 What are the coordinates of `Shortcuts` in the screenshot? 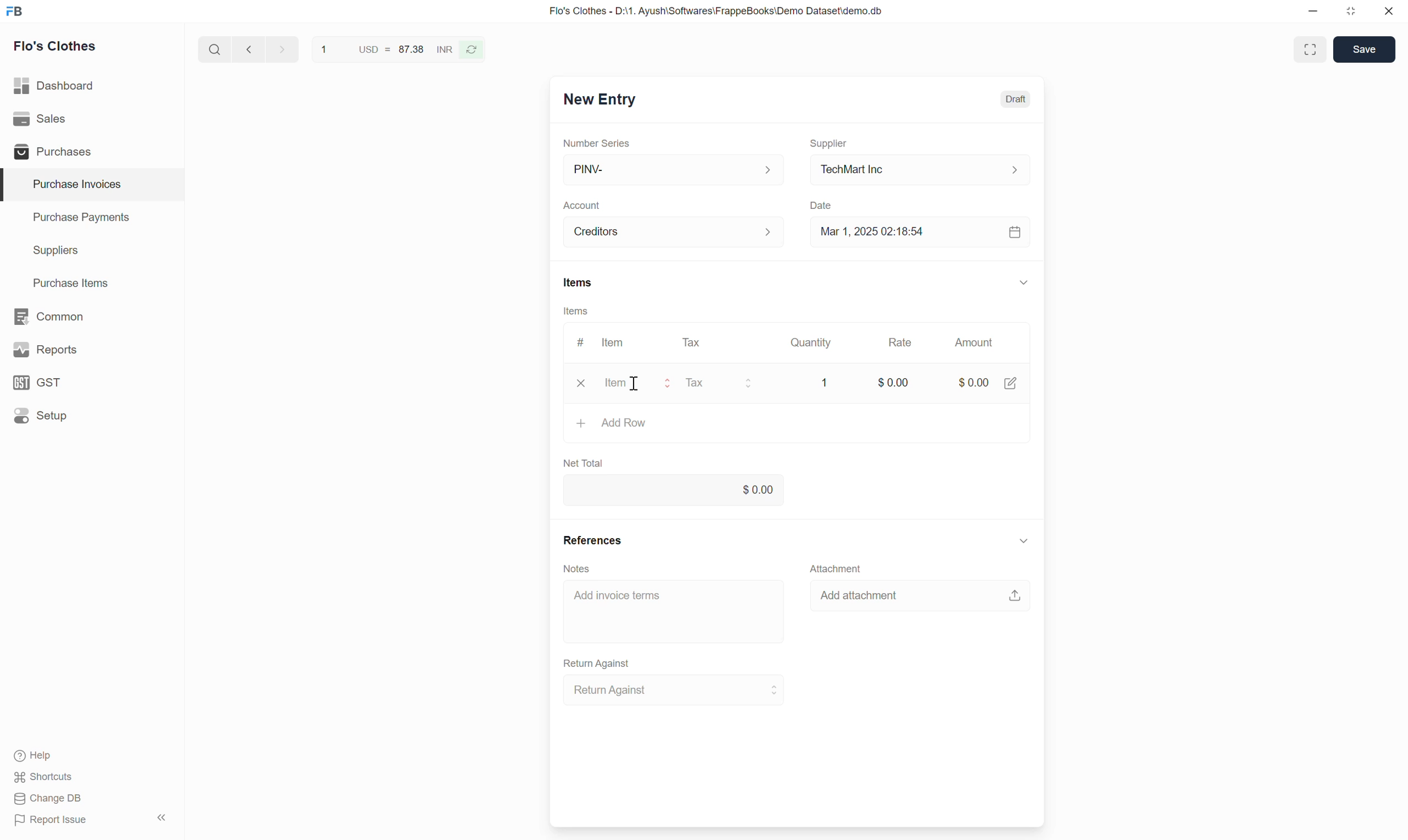 It's located at (44, 777).